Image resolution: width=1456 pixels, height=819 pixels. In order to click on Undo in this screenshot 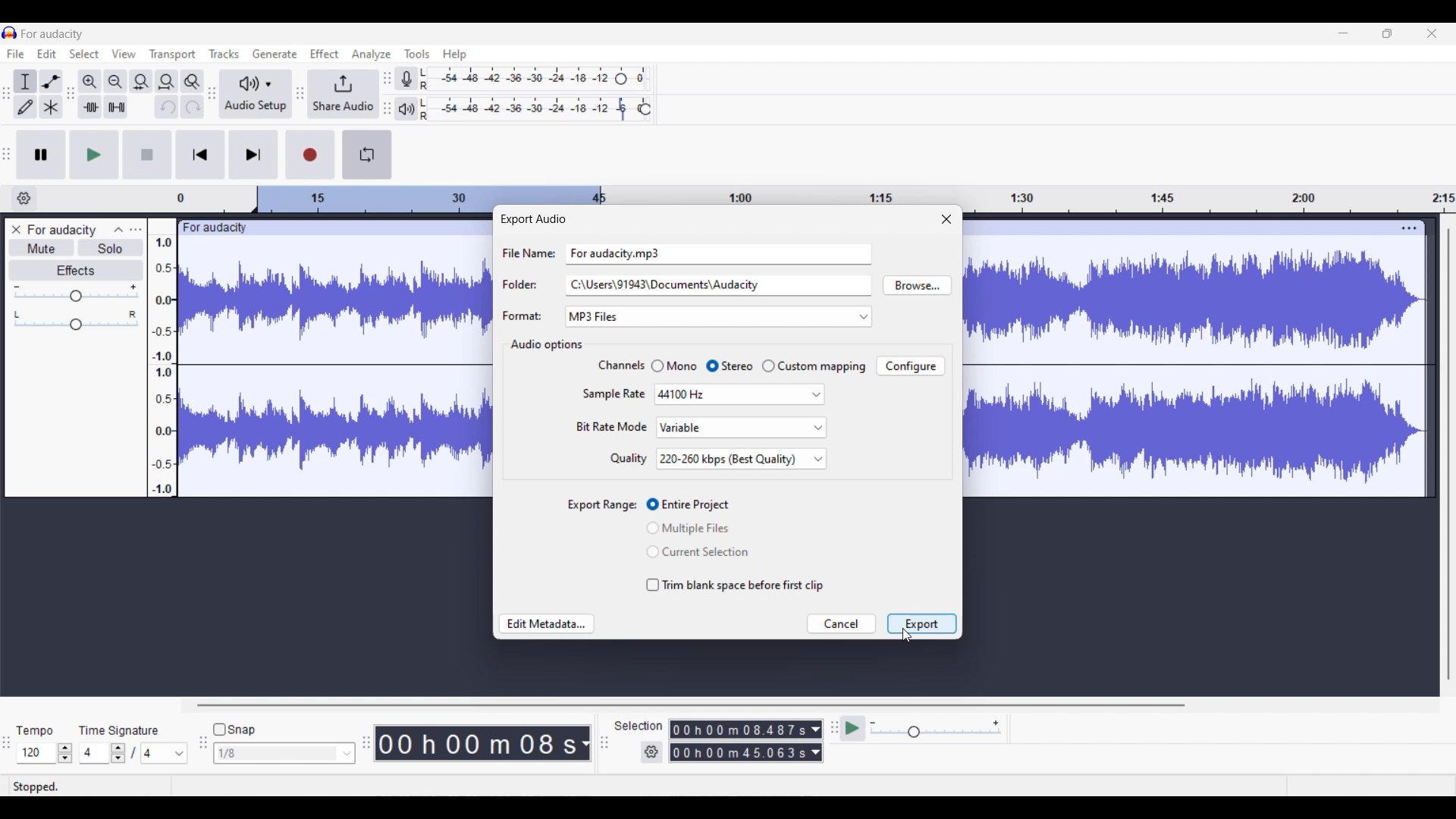, I will do `click(167, 107)`.